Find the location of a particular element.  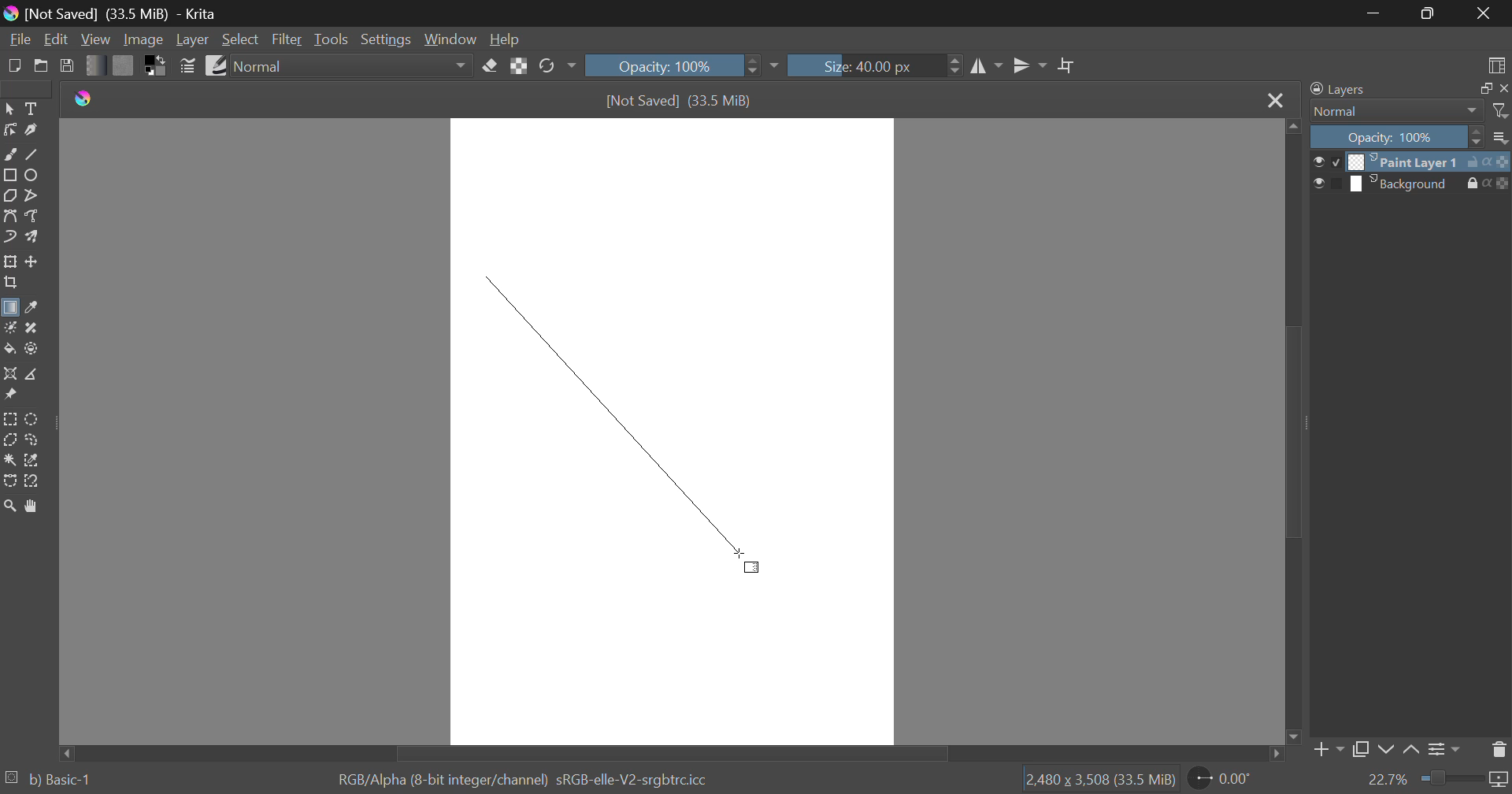

Close is located at coordinates (1488, 13).